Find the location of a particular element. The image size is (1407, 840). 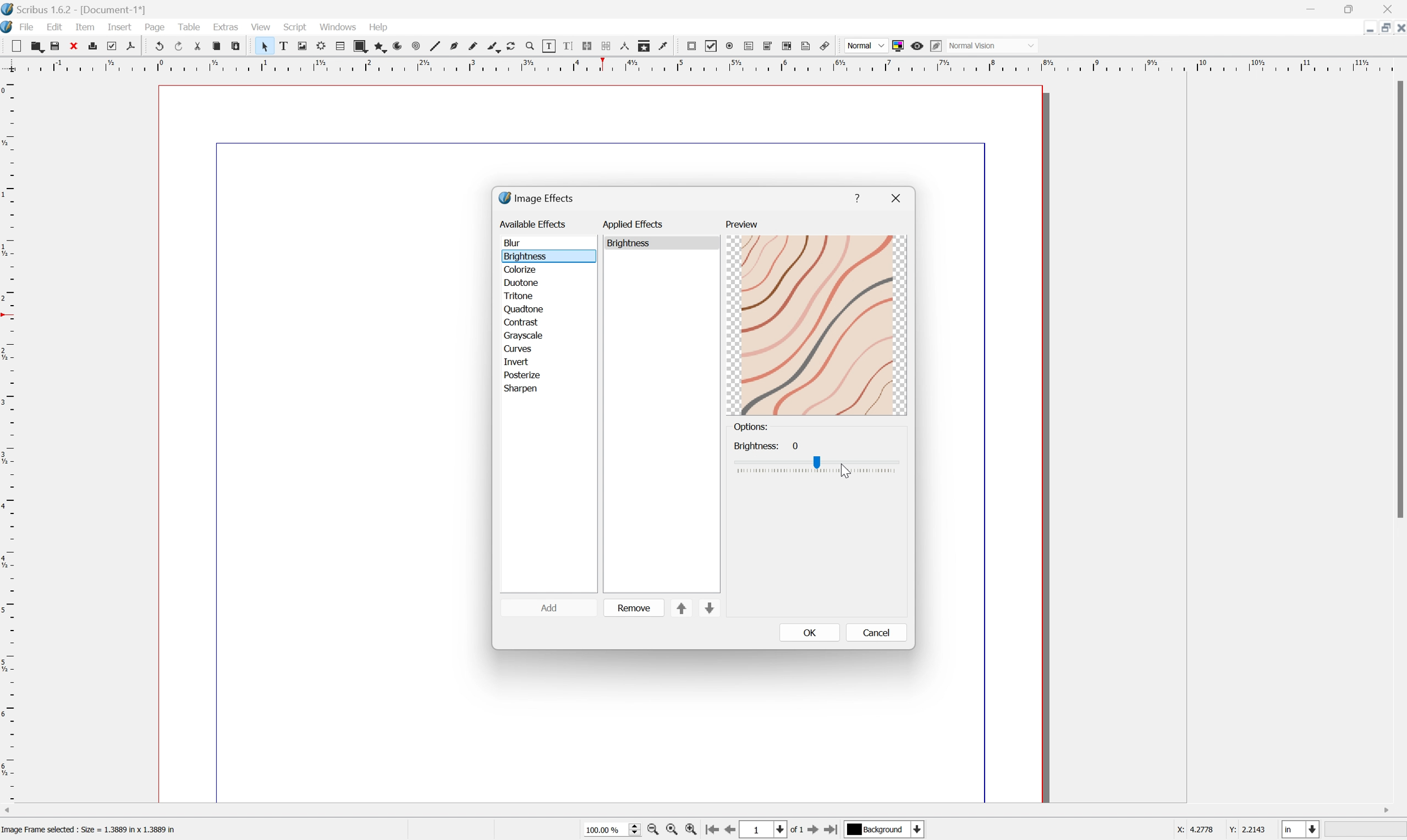

Table is located at coordinates (340, 46).